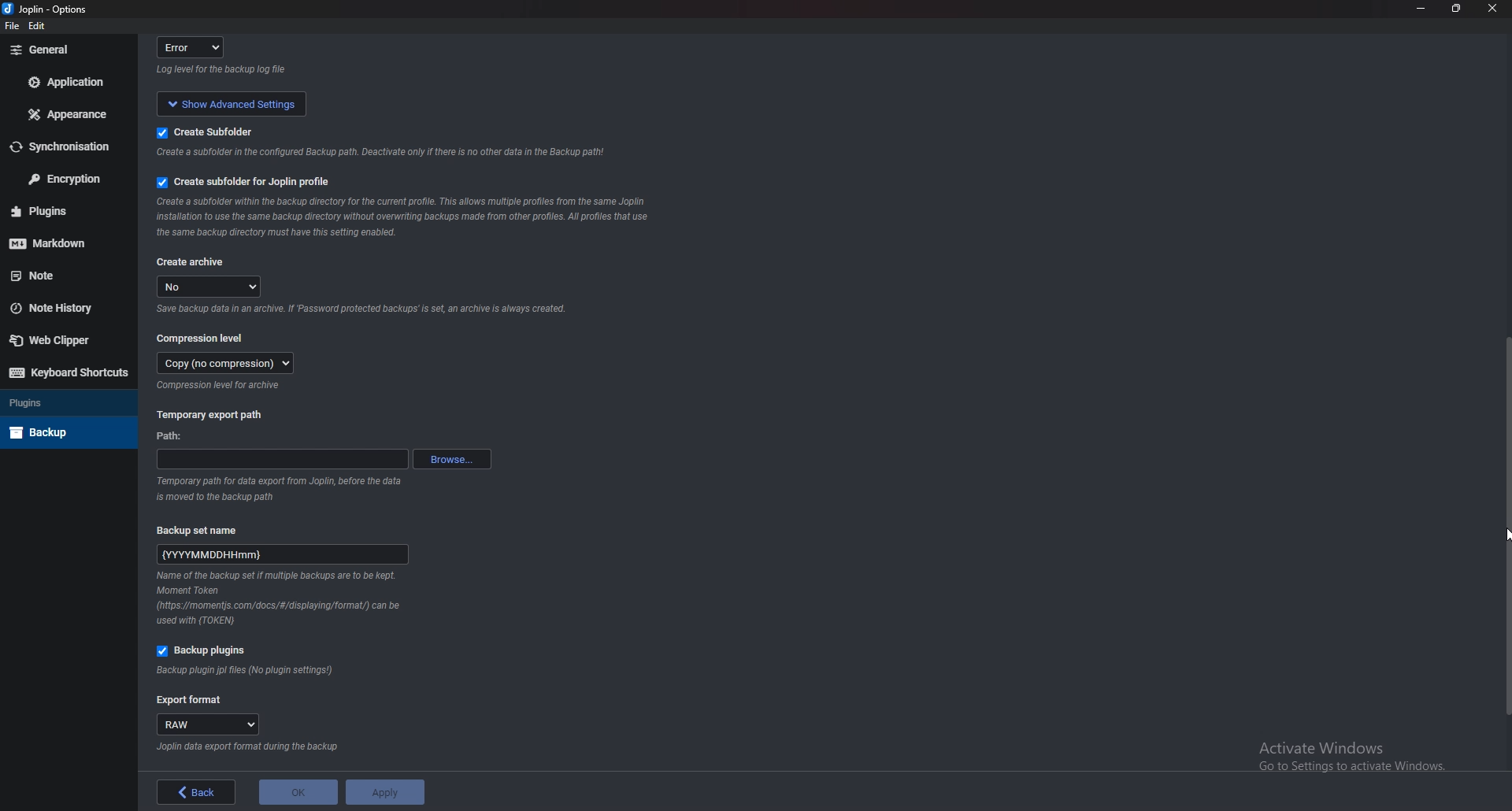 The width and height of the screenshot is (1512, 811). I want to click on name, so click(283, 552).